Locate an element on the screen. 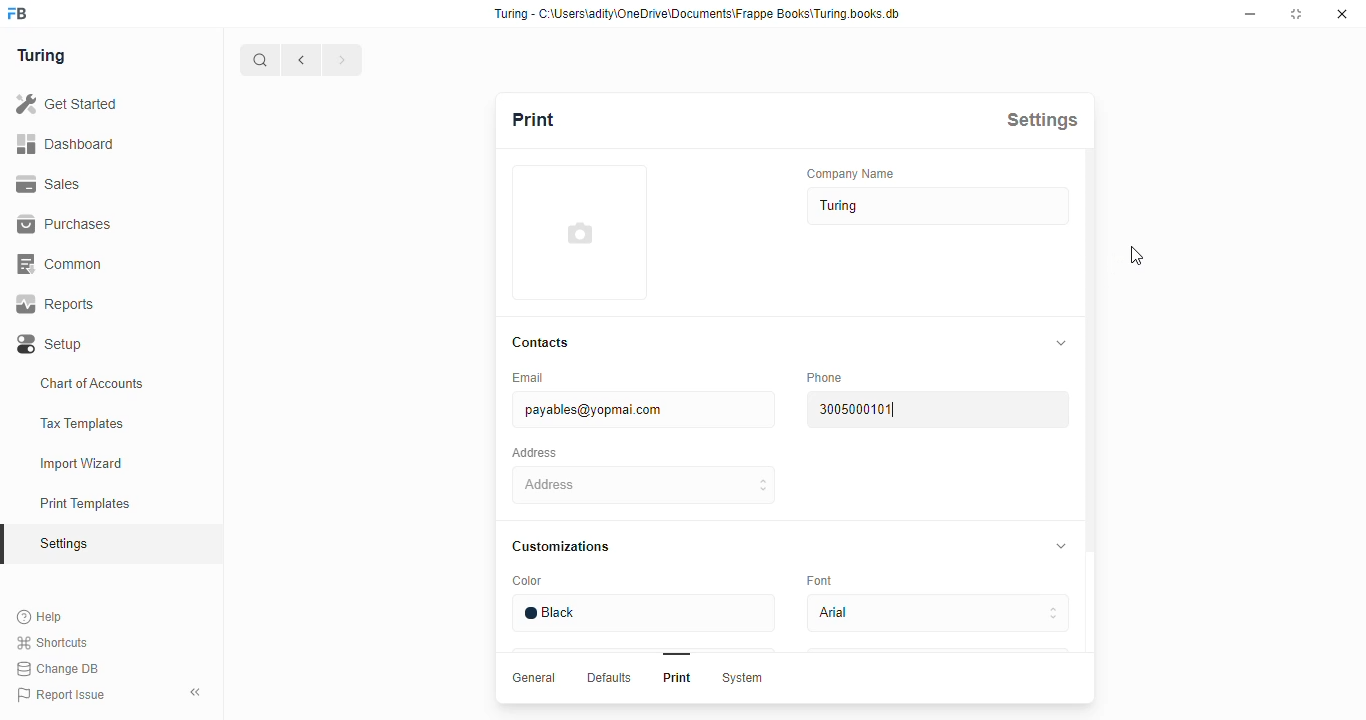 This screenshot has width=1366, height=720. Setup is located at coordinates (108, 341).